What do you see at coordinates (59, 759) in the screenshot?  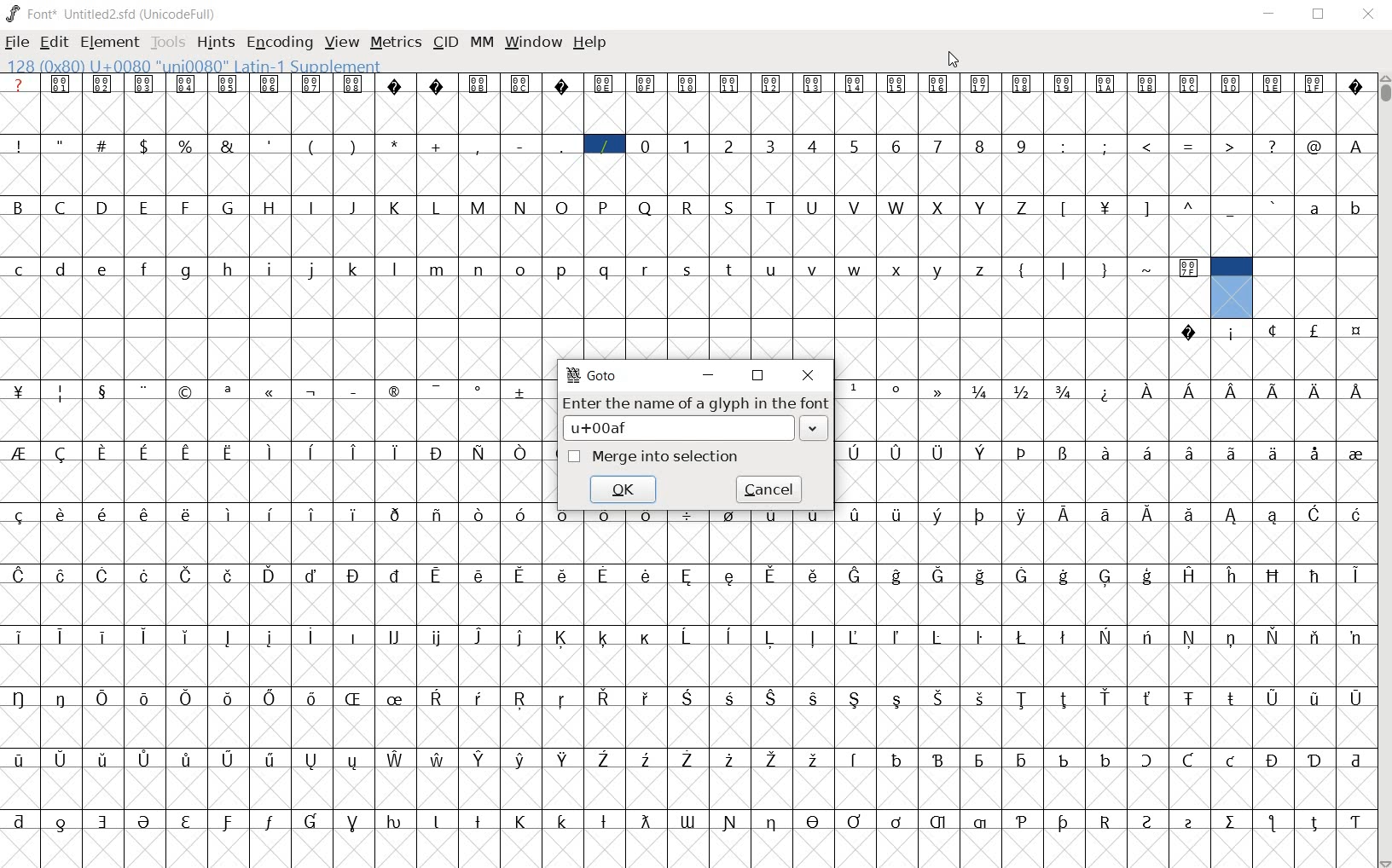 I see `Symbol` at bounding box center [59, 759].